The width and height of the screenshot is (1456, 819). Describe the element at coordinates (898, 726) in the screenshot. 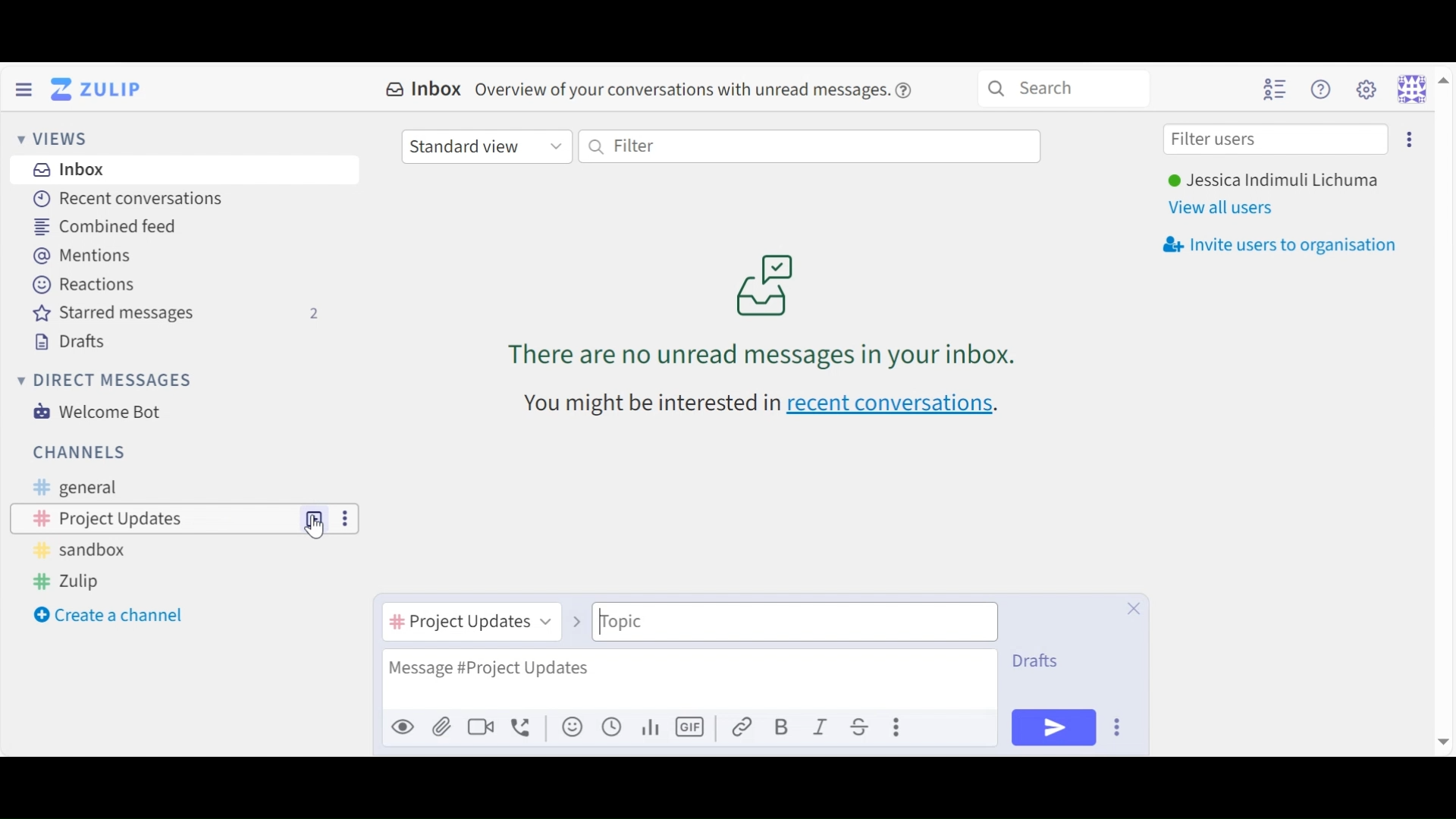

I see `Compose actions` at that location.